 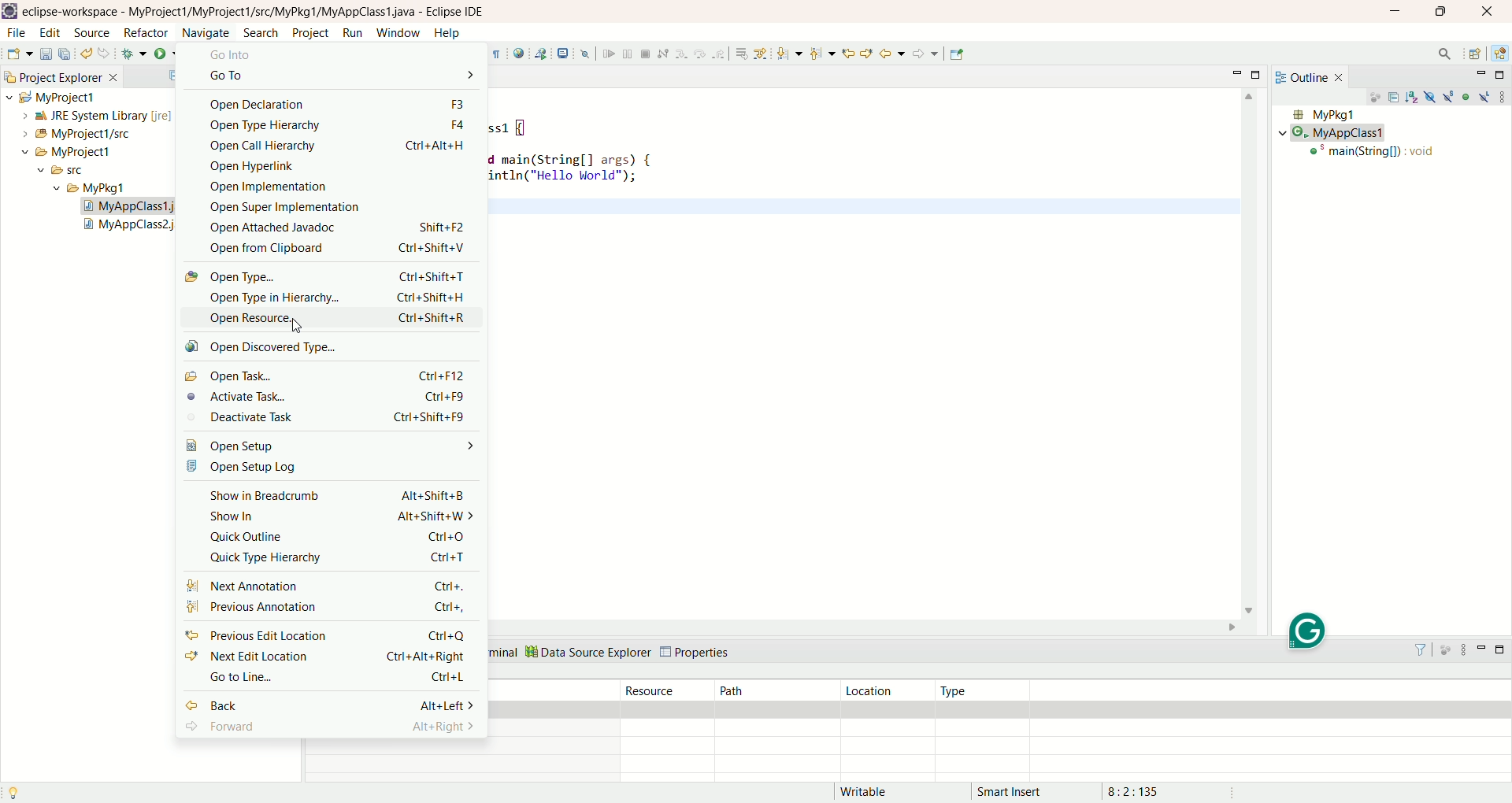 I want to click on step return, so click(x=720, y=56).